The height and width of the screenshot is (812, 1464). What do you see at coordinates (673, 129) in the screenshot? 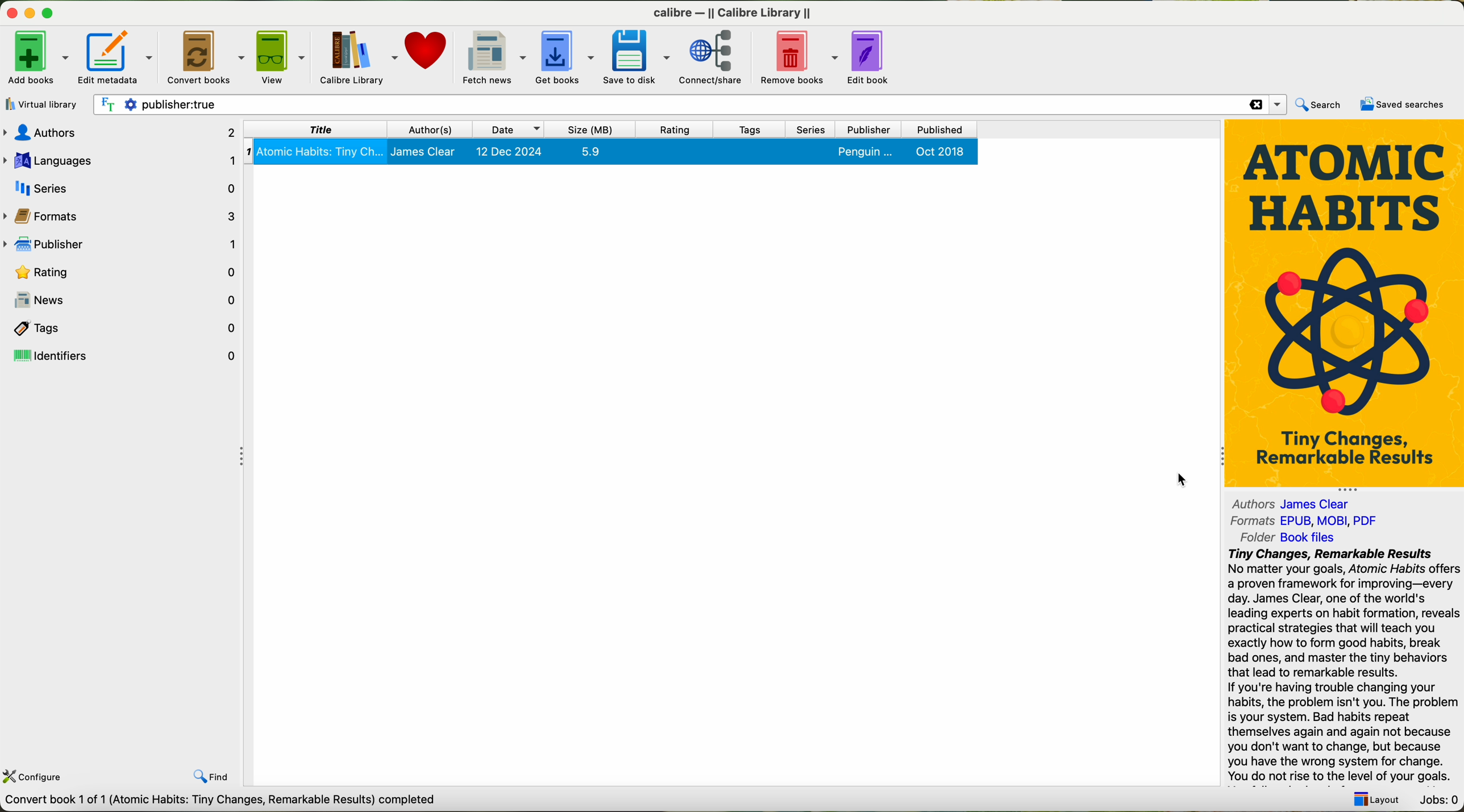
I see `rating` at bounding box center [673, 129].